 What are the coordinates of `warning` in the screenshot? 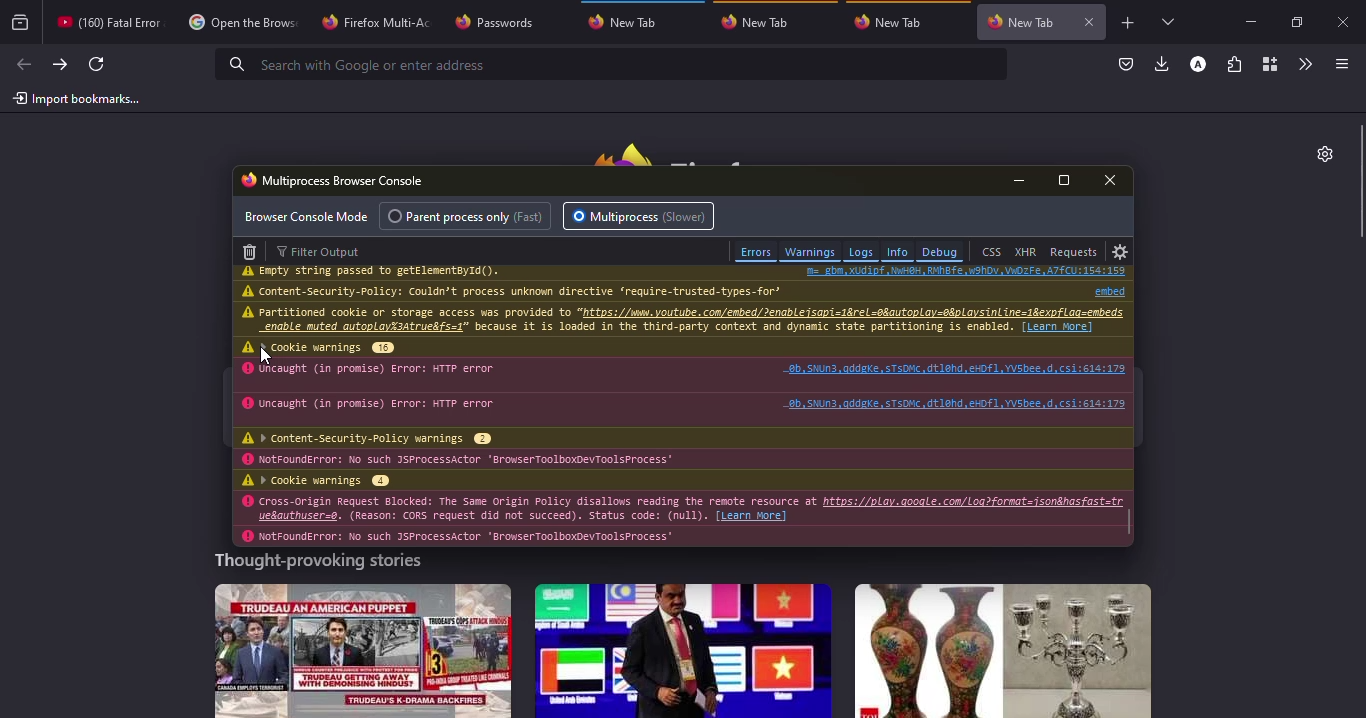 It's located at (245, 347).